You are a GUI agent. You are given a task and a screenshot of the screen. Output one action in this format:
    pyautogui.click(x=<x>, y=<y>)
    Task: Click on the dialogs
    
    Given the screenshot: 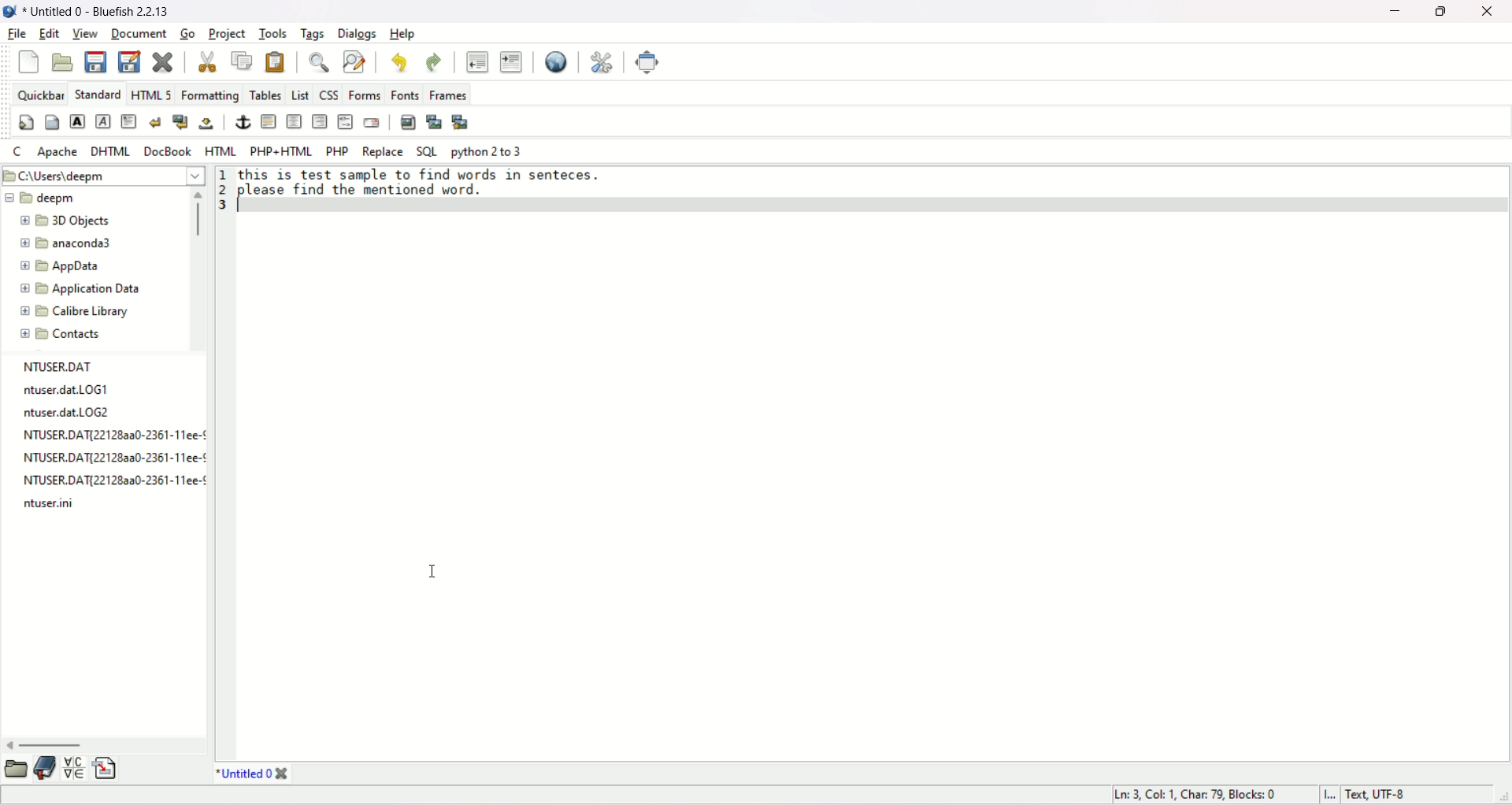 What is the action you would take?
    pyautogui.click(x=356, y=34)
    